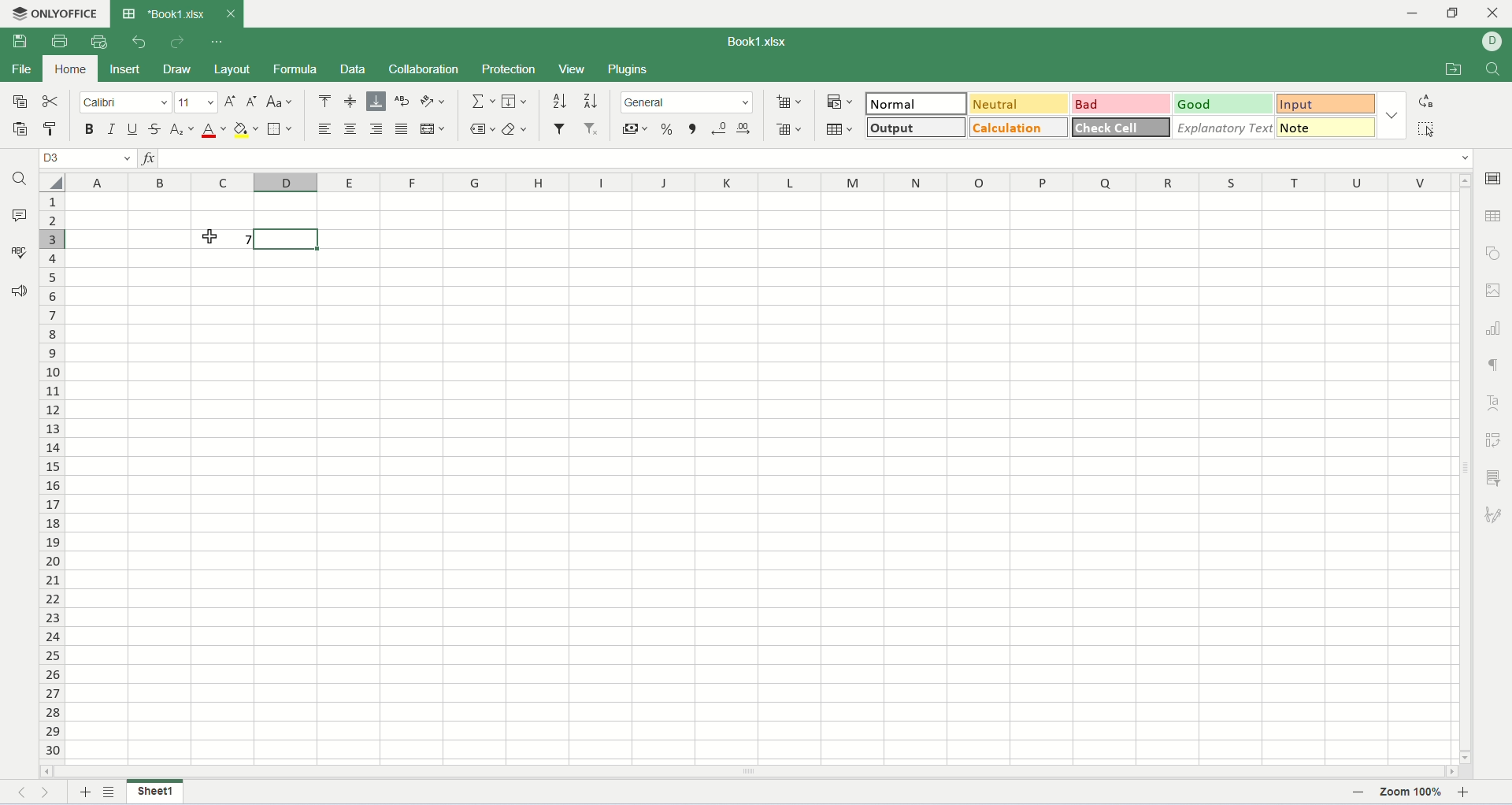 The width and height of the screenshot is (1512, 805). What do you see at coordinates (252, 101) in the screenshot?
I see `decrease font size` at bounding box center [252, 101].